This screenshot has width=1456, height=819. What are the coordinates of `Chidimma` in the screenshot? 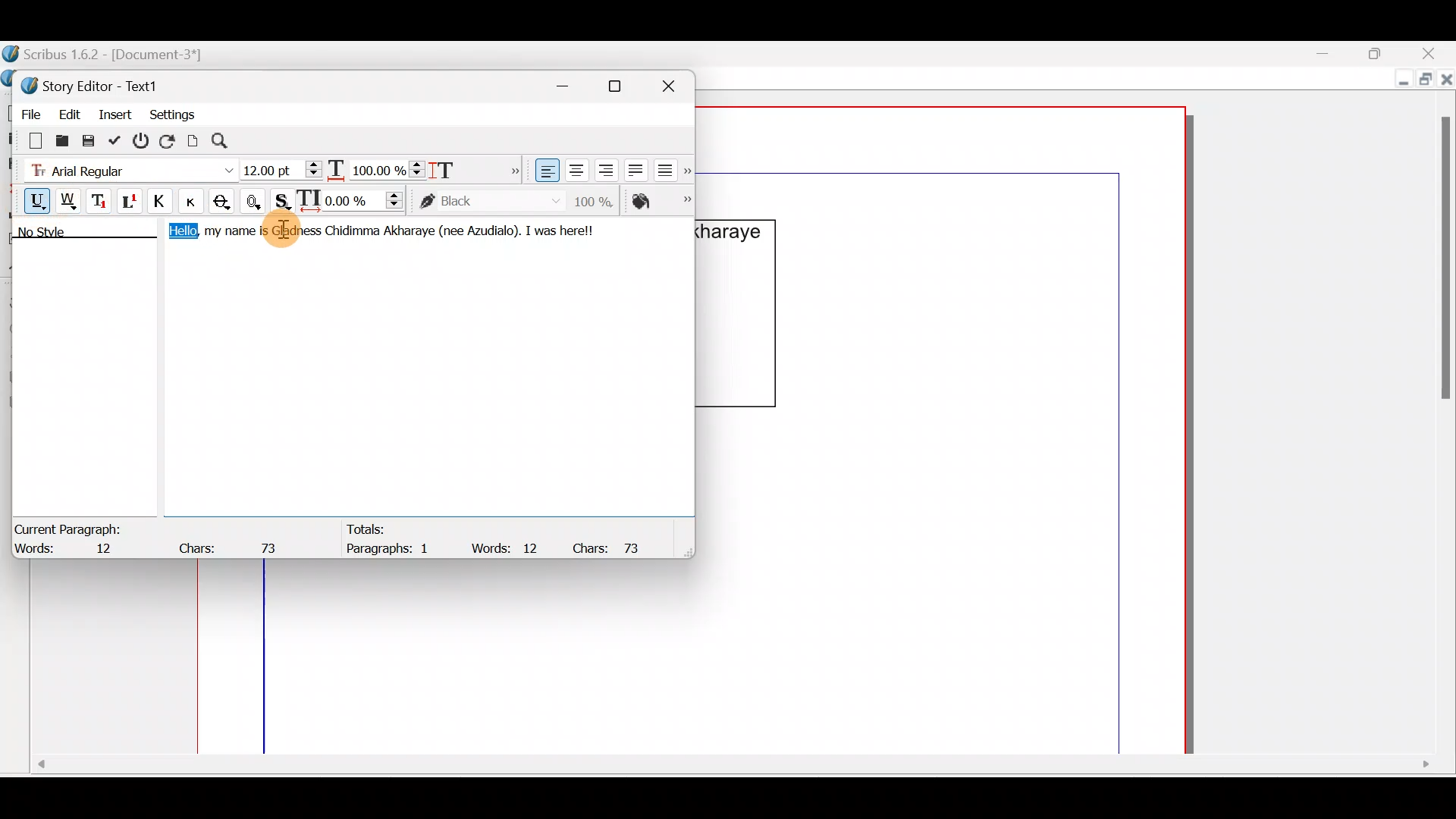 It's located at (351, 234).